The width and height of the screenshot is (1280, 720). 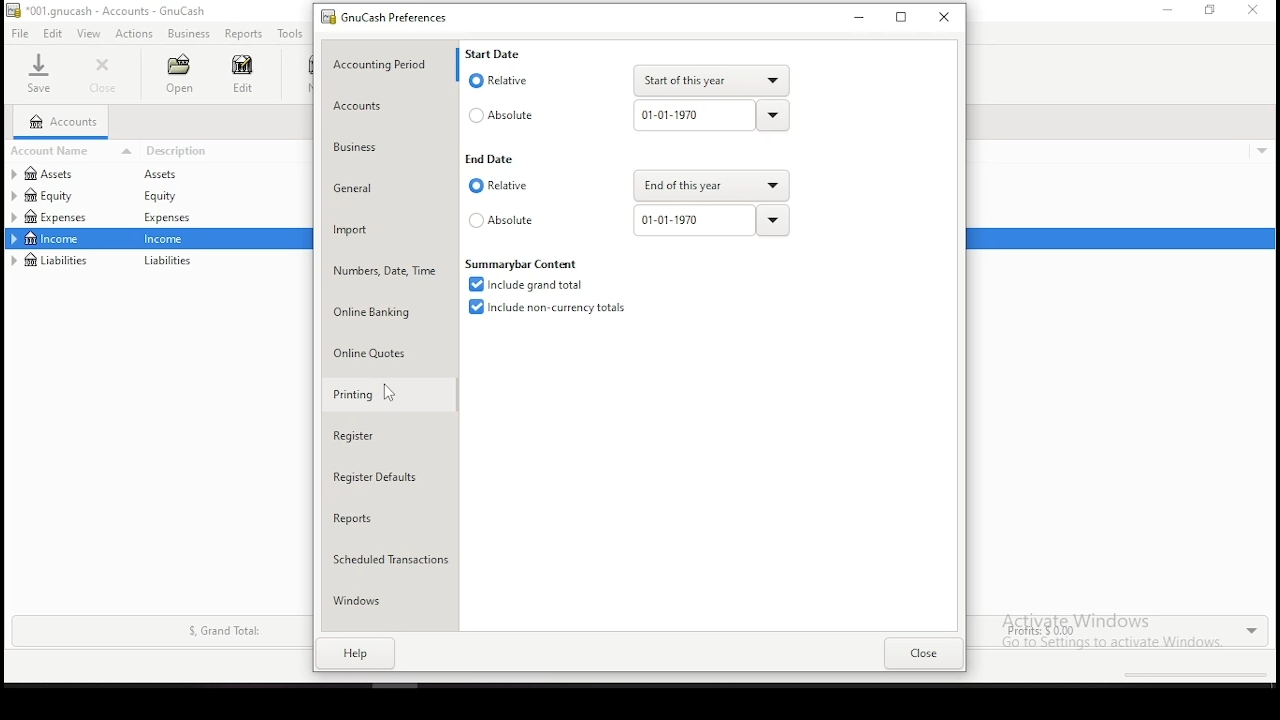 I want to click on open, so click(x=178, y=74).